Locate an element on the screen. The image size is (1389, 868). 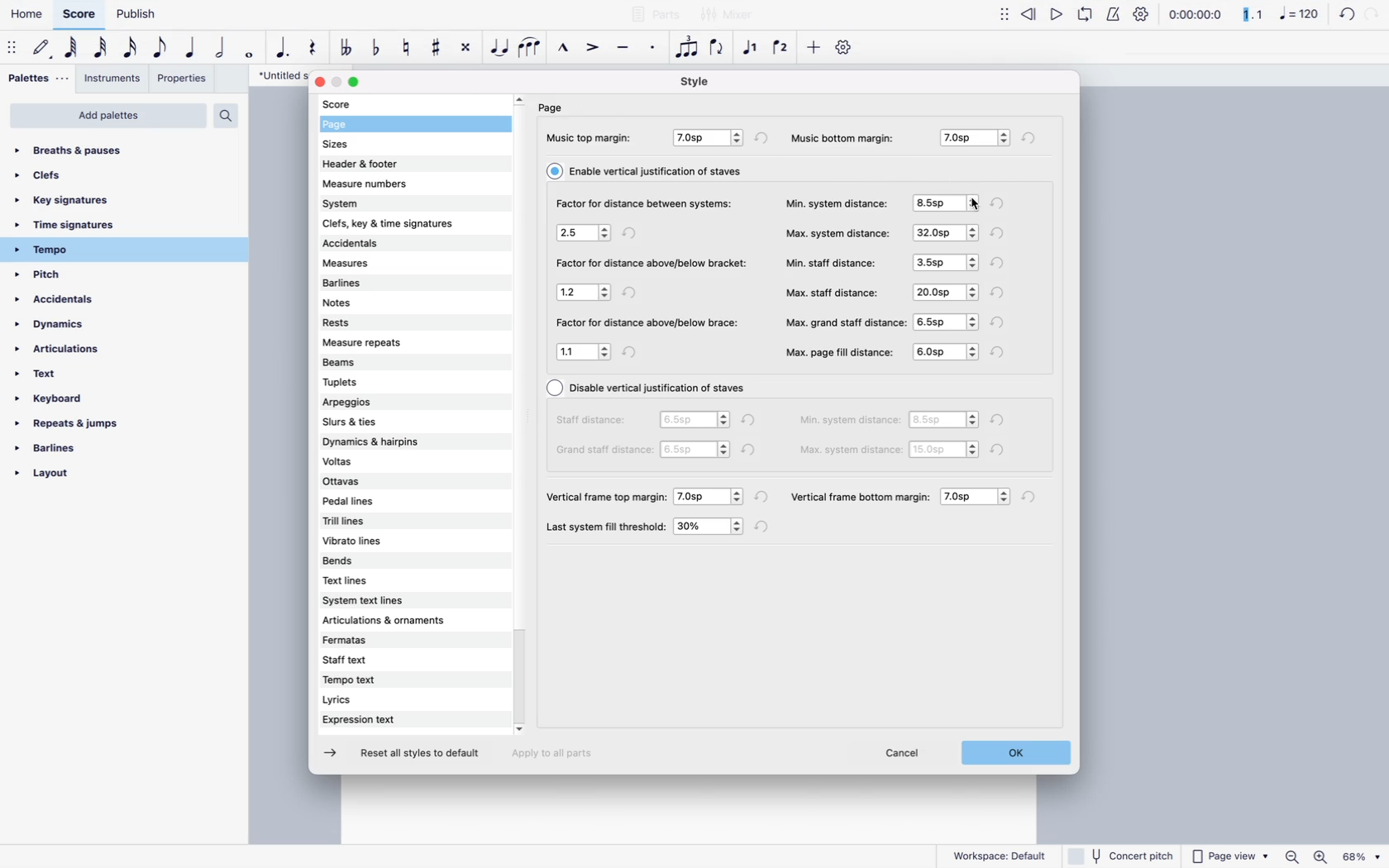
options is located at coordinates (585, 235).